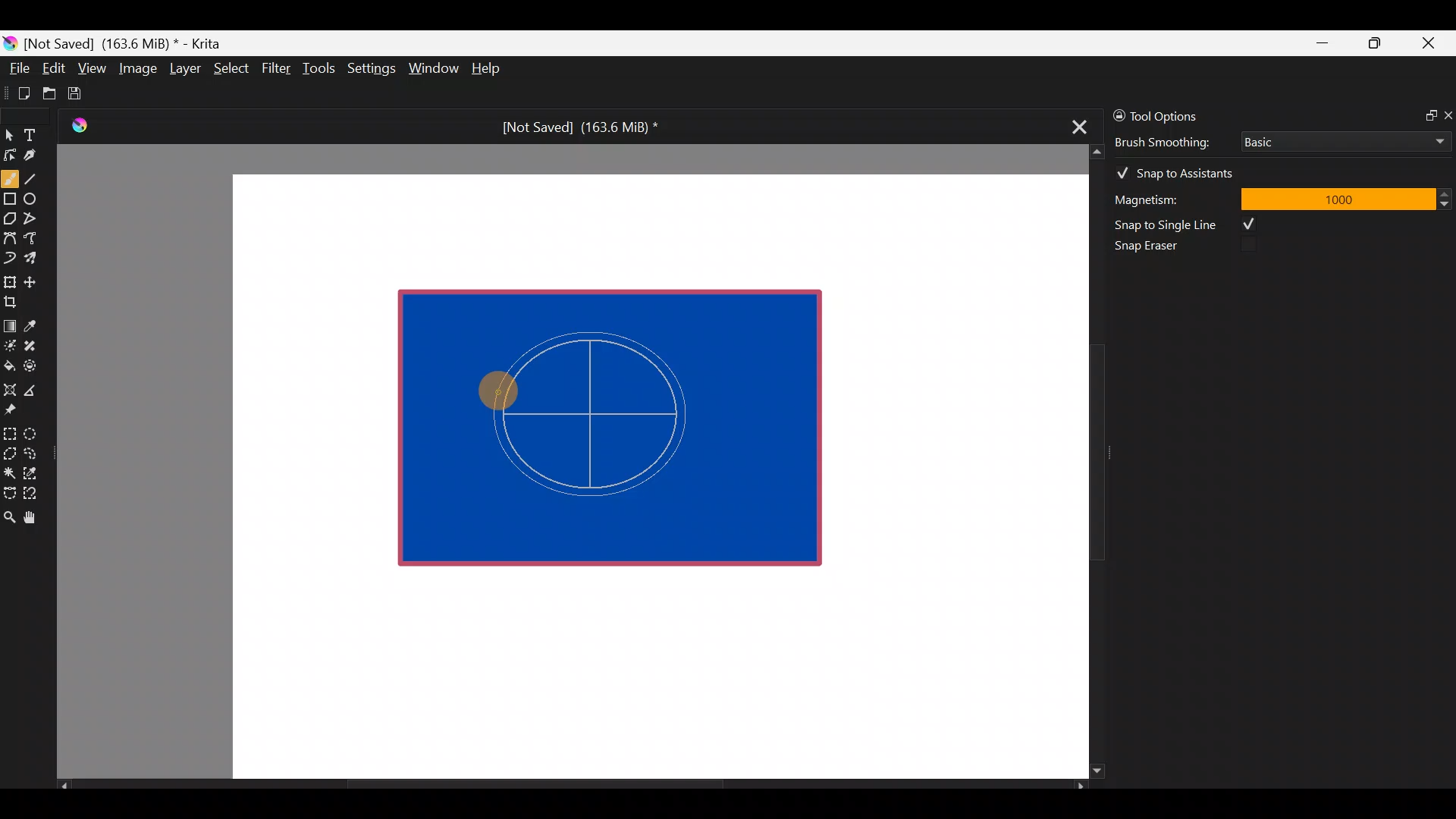 The image size is (1456, 819). What do you see at coordinates (488, 70) in the screenshot?
I see `Help` at bounding box center [488, 70].